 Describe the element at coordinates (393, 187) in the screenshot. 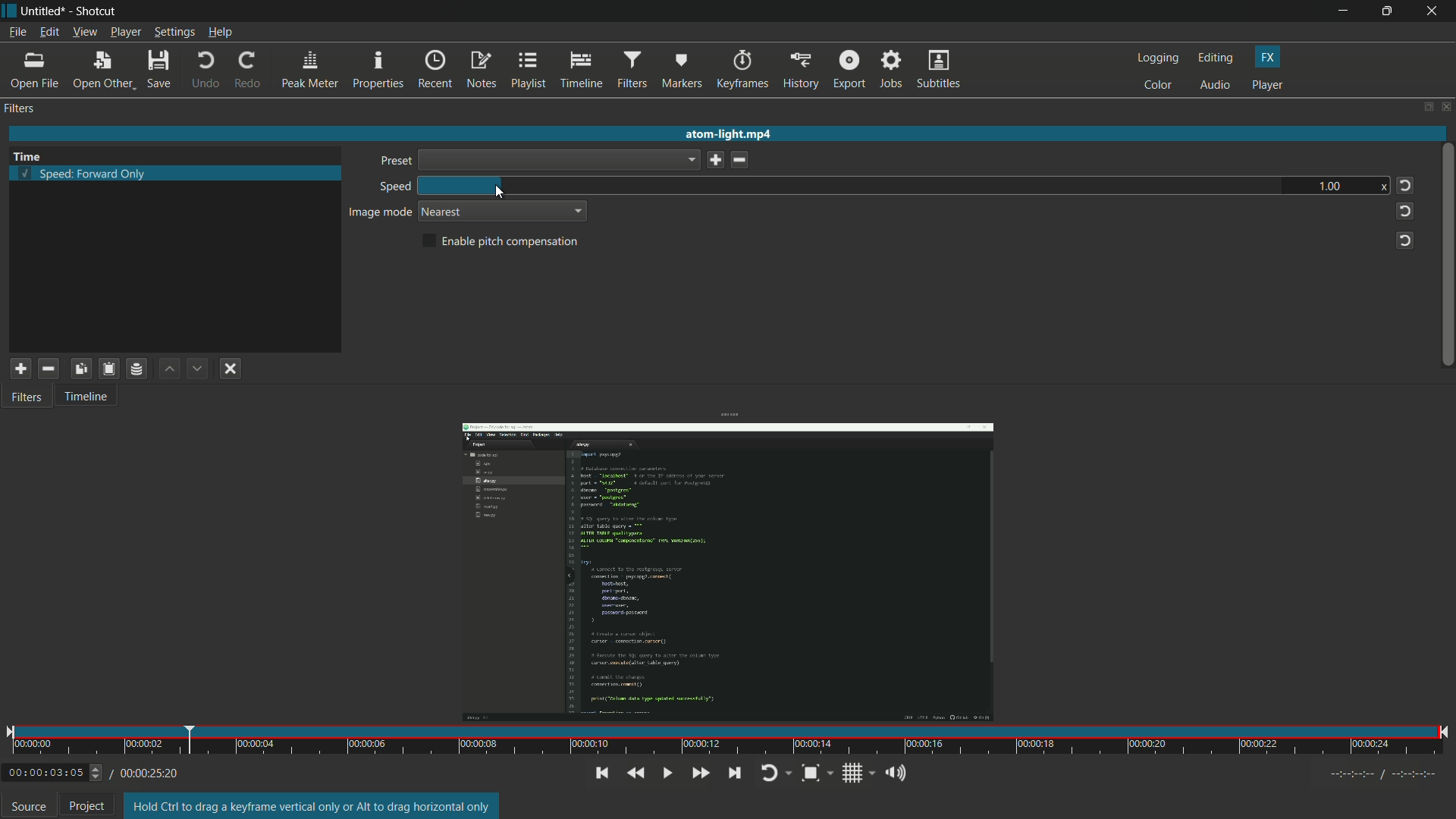

I see `speed` at that location.